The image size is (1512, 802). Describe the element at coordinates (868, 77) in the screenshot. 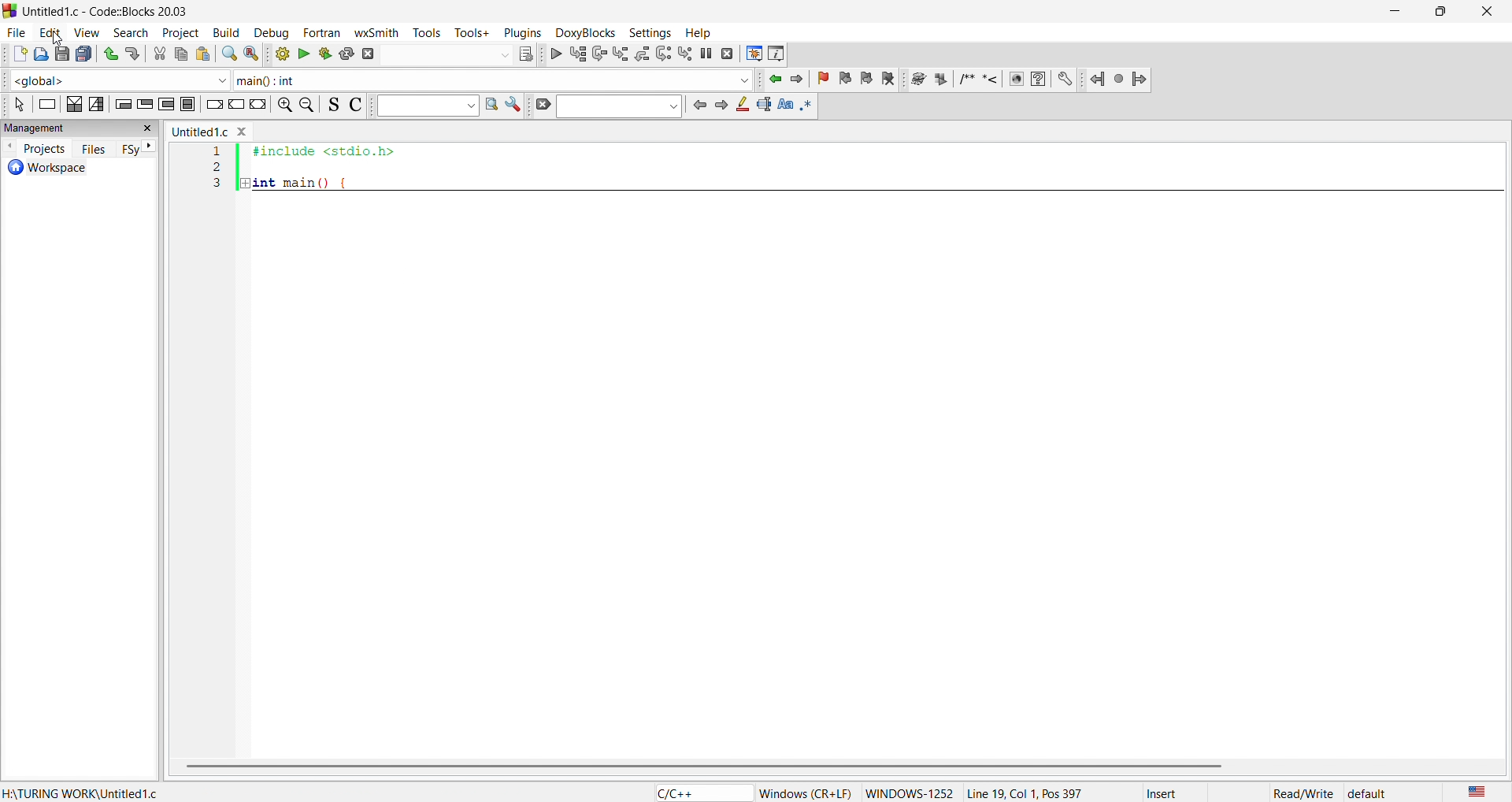

I see `next bookmark` at that location.